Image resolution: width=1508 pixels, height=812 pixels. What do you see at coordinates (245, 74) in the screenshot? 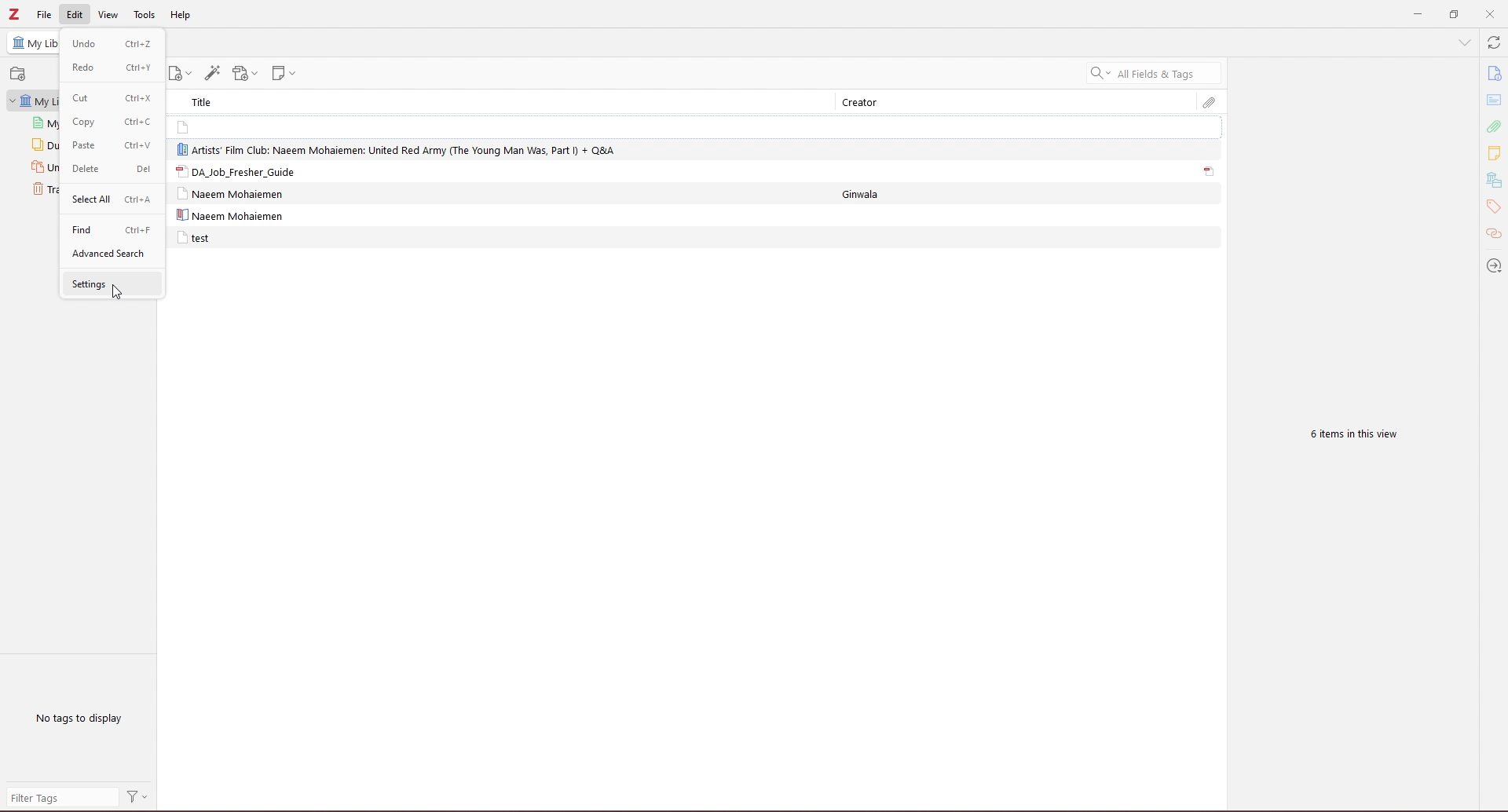
I see `add attachment` at bounding box center [245, 74].